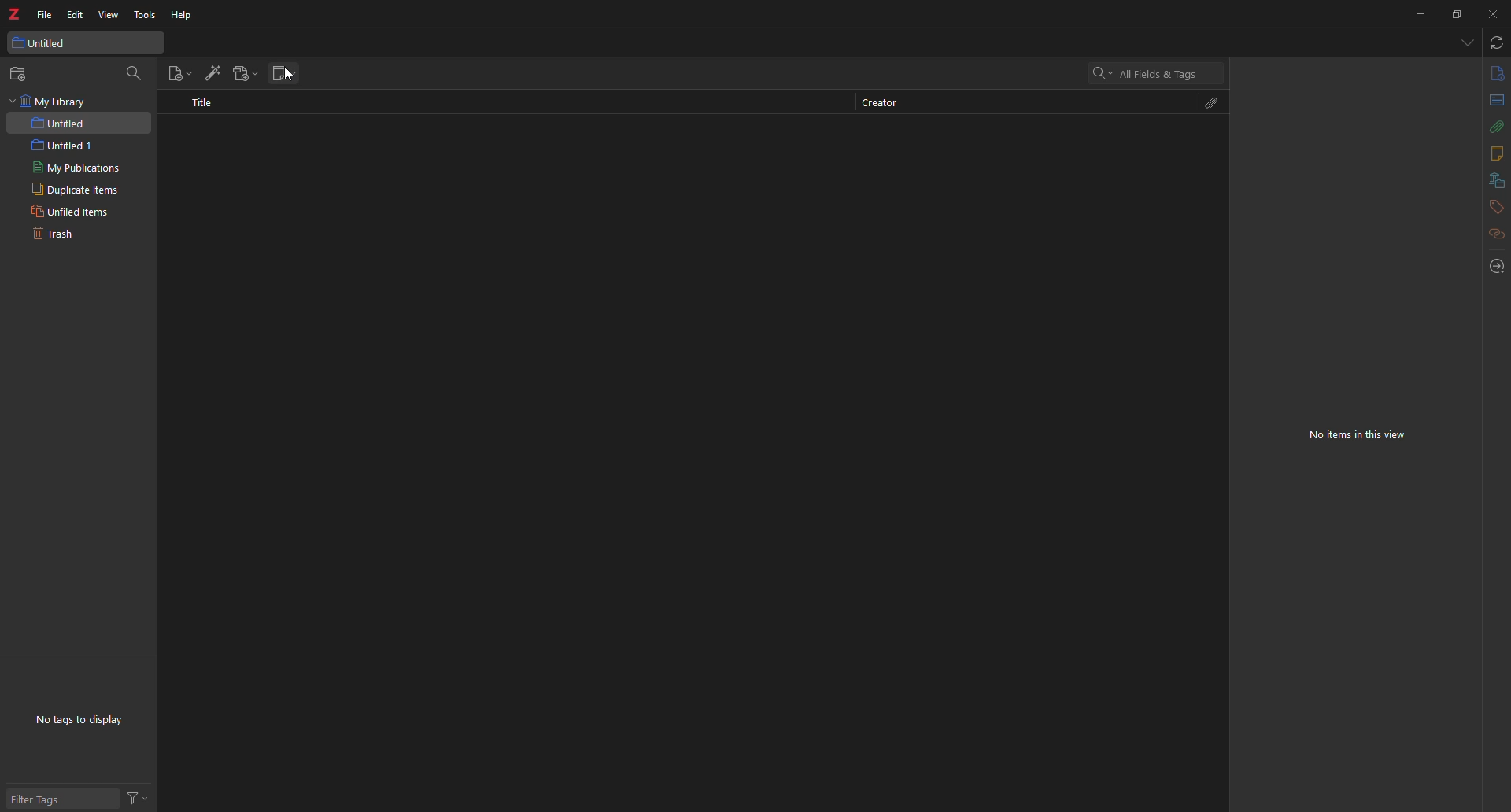 This screenshot has height=812, width=1511. Describe the element at coordinates (44, 14) in the screenshot. I see `file` at that location.